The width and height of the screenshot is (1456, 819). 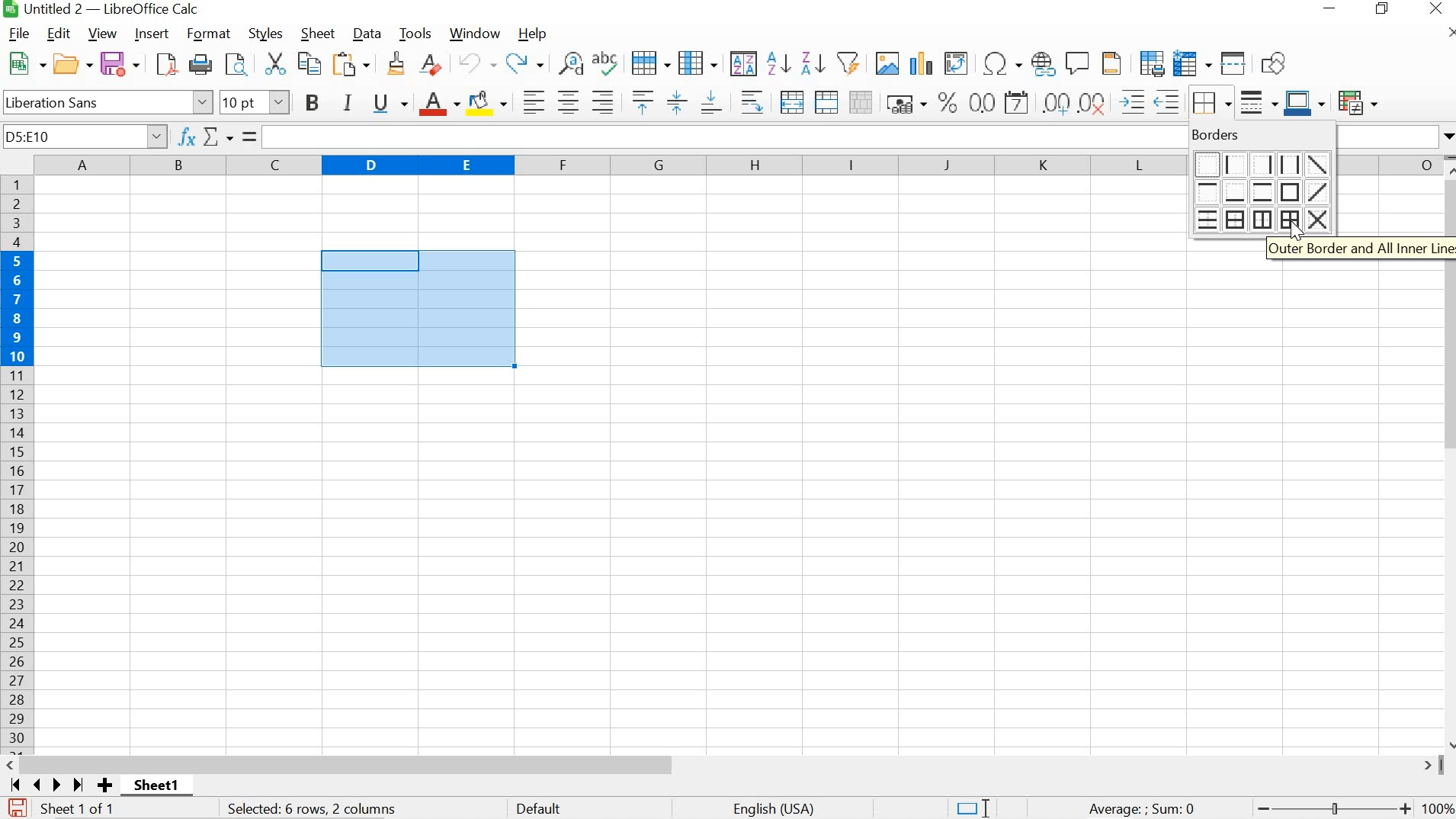 What do you see at coordinates (531, 34) in the screenshot?
I see `HELP` at bounding box center [531, 34].